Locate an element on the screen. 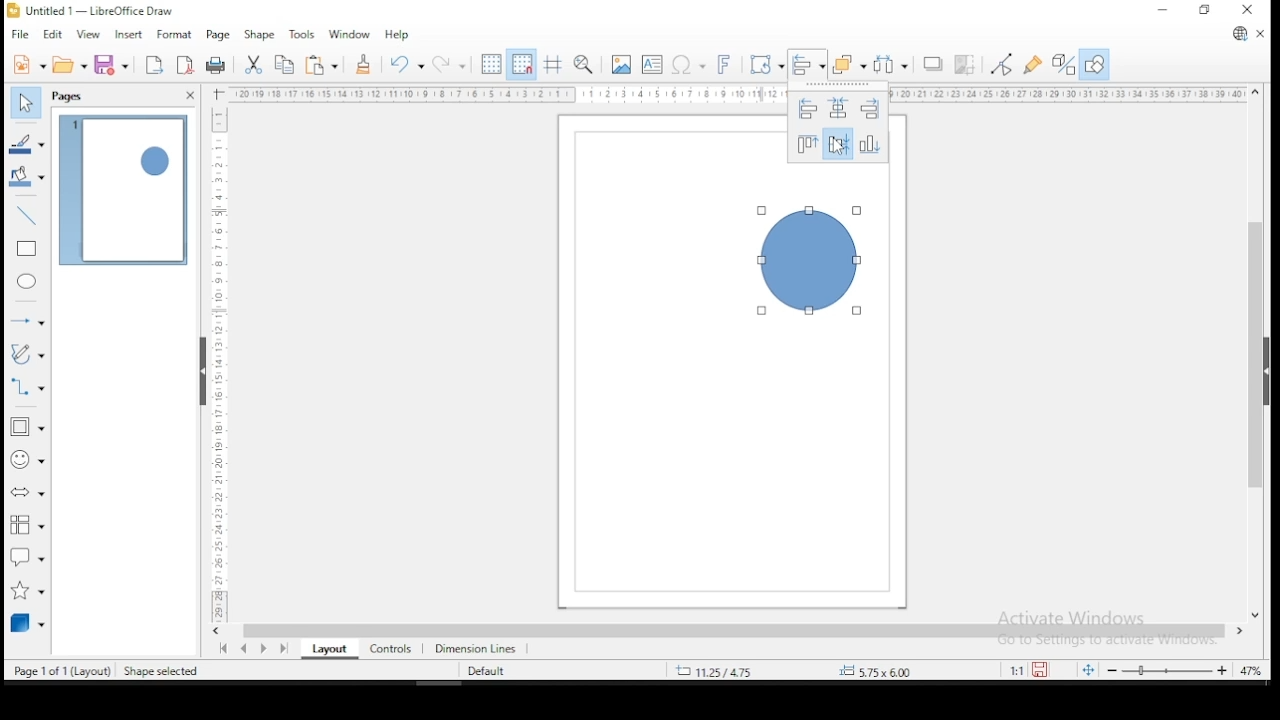 The image size is (1280, 720). page 1 is located at coordinates (124, 191).